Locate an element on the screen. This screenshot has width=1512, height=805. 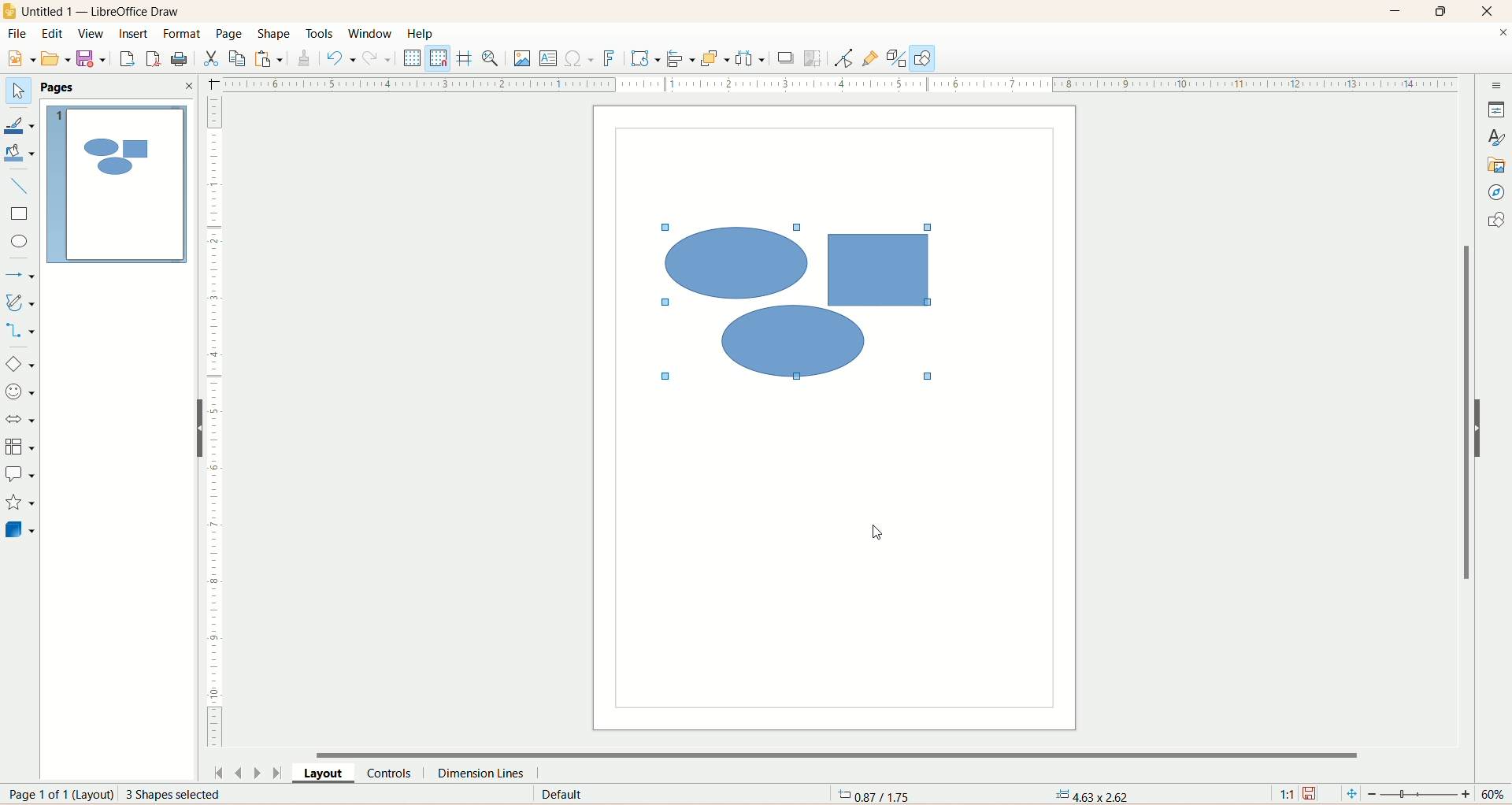
previous is located at coordinates (240, 774).